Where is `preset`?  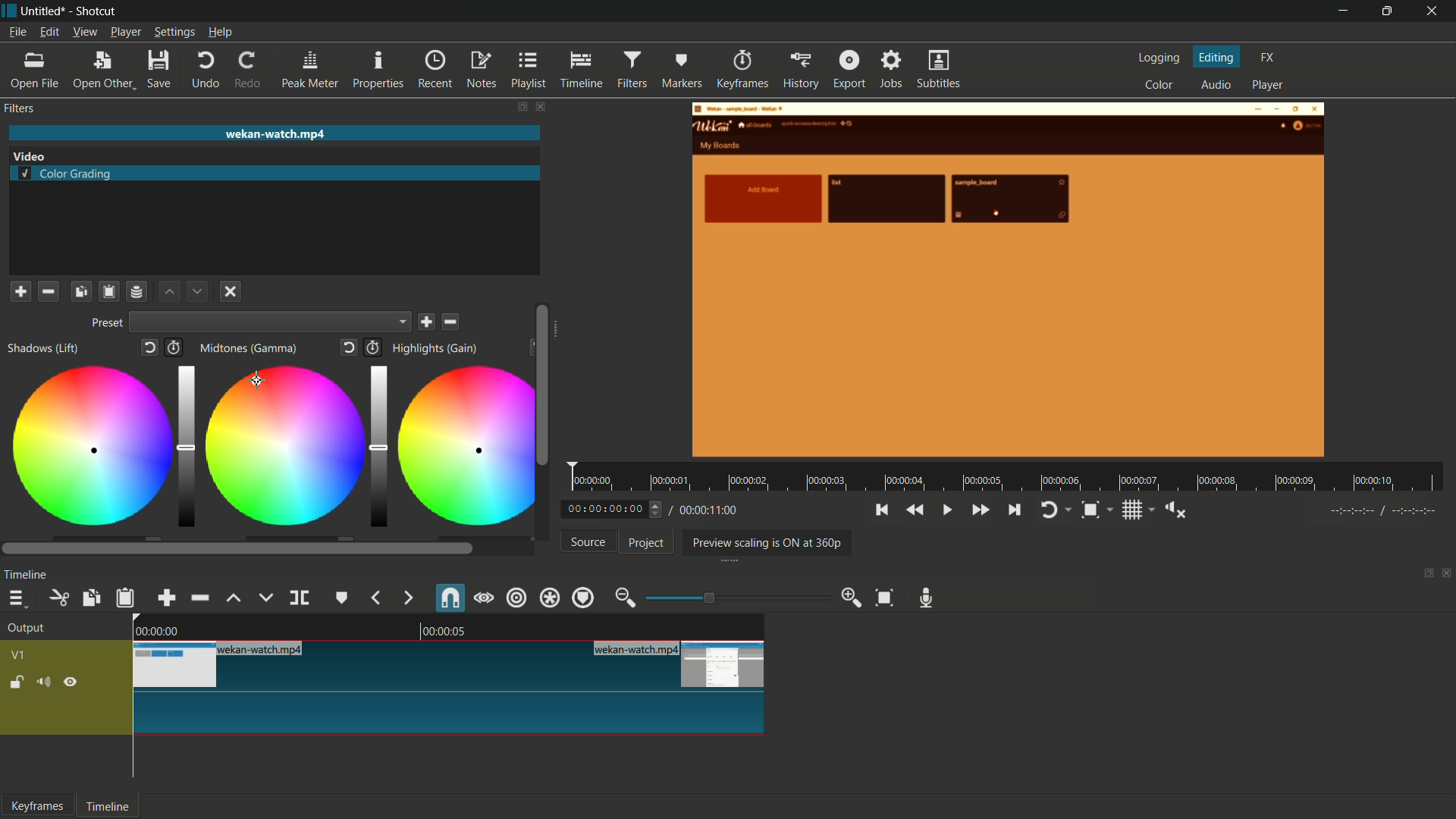 preset is located at coordinates (107, 322).